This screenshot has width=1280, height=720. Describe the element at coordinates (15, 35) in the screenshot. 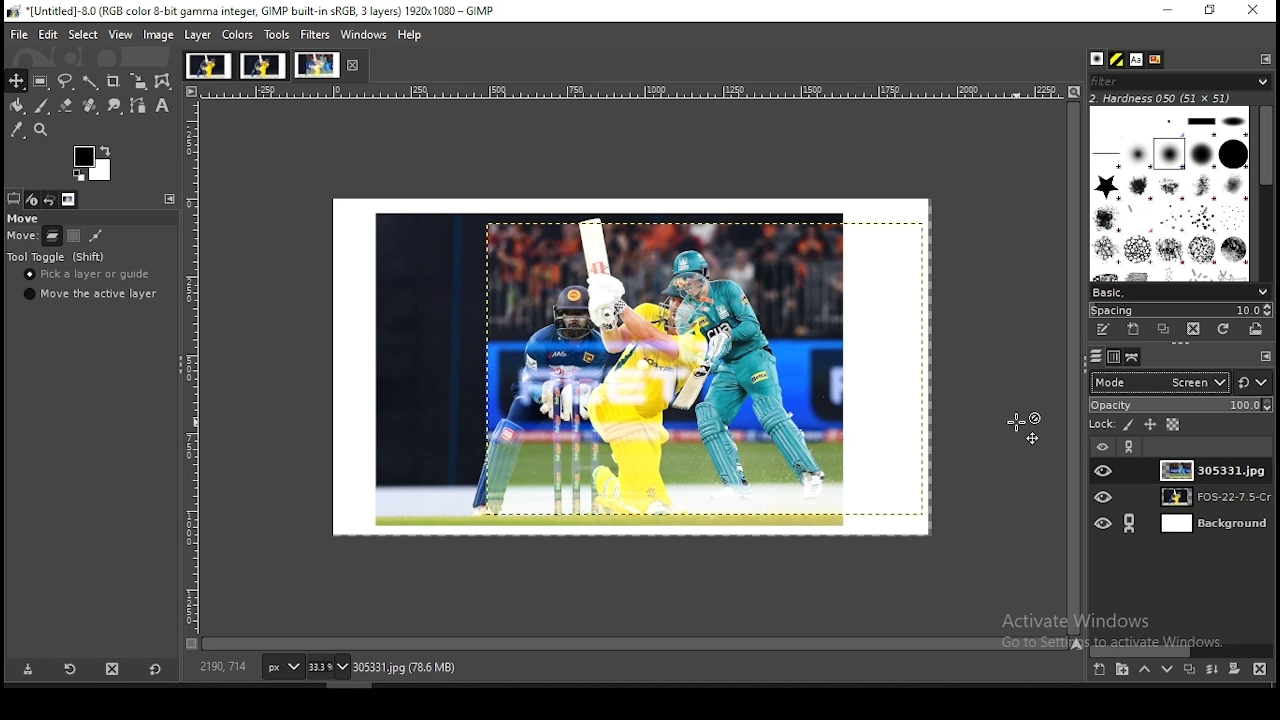

I see `file` at that location.